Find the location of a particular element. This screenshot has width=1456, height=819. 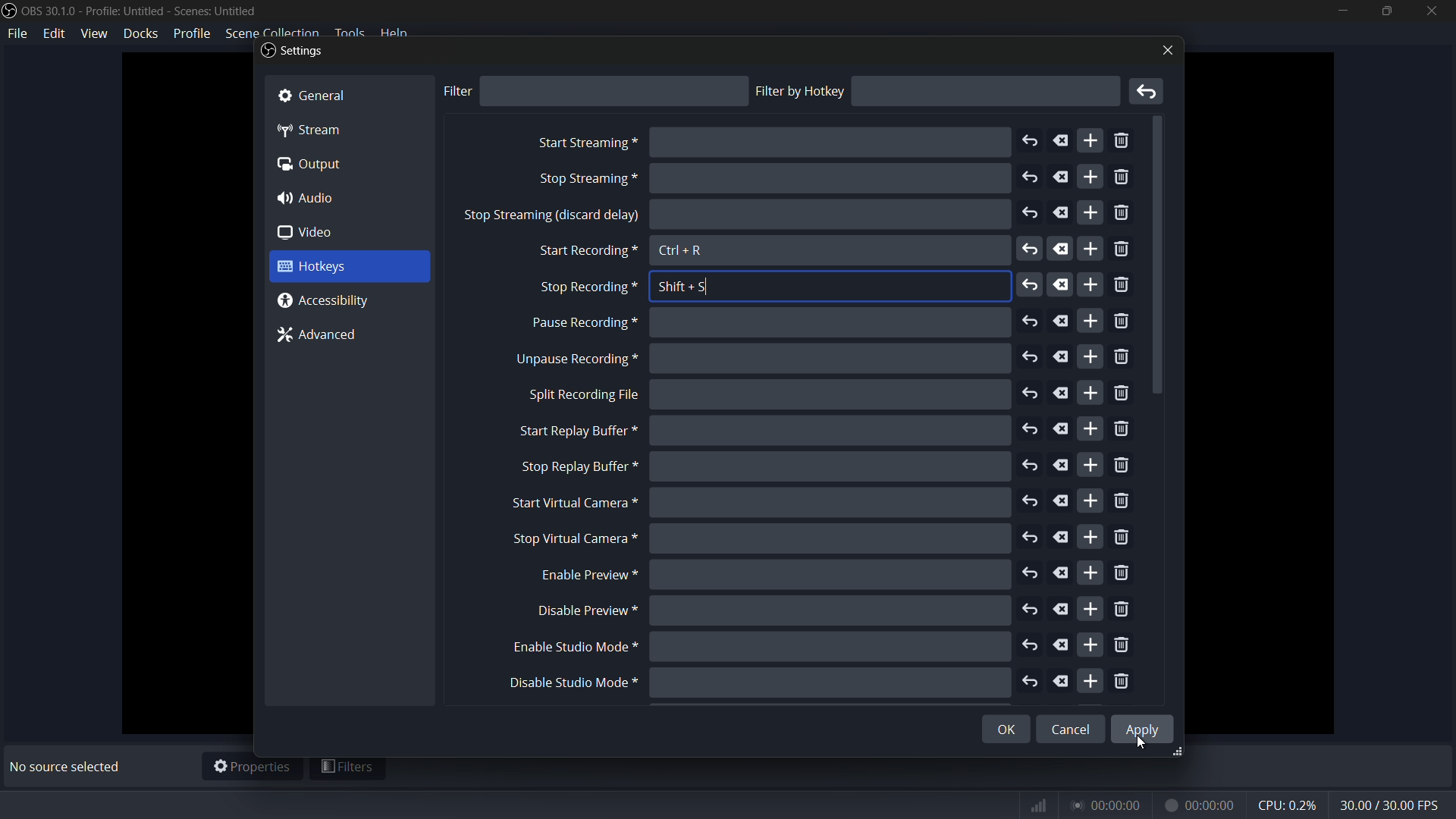

start replay buffer is located at coordinates (571, 431).